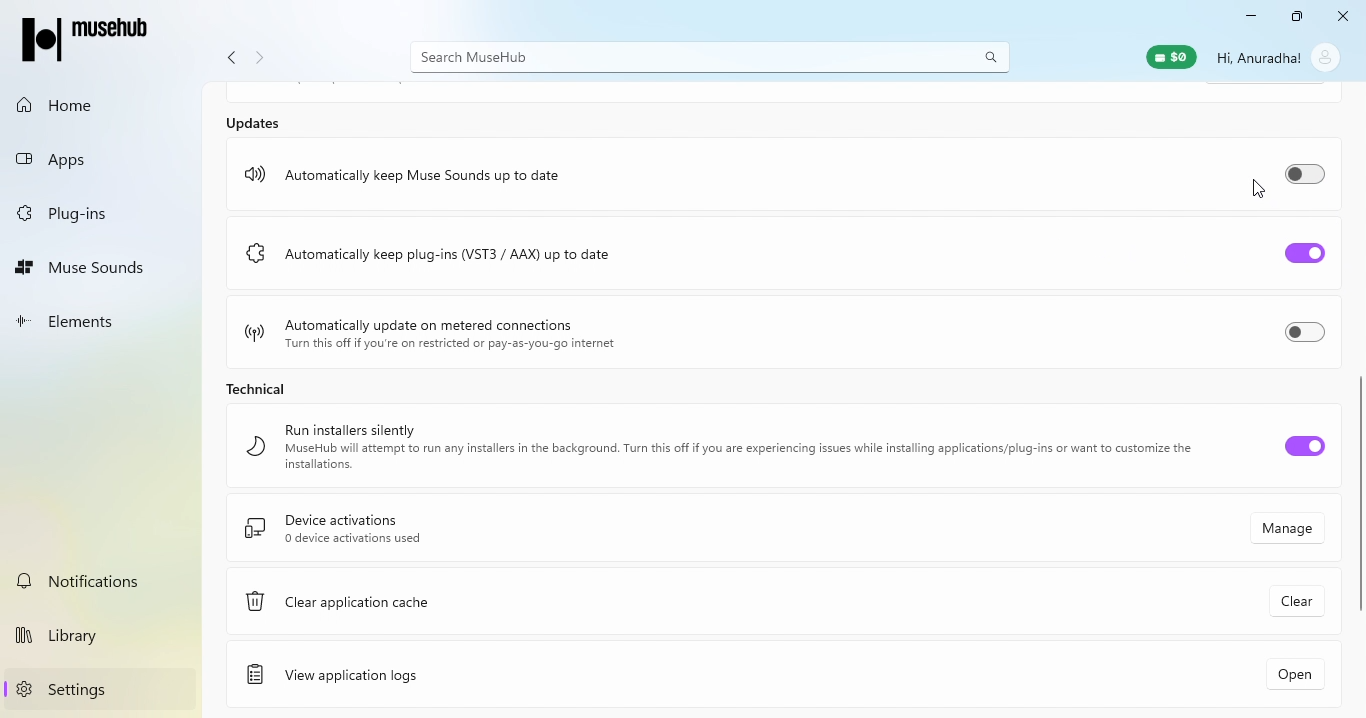 Image resolution: width=1366 pixels, height=718 pixels. I want to click on Device activations, so click(646, 532).